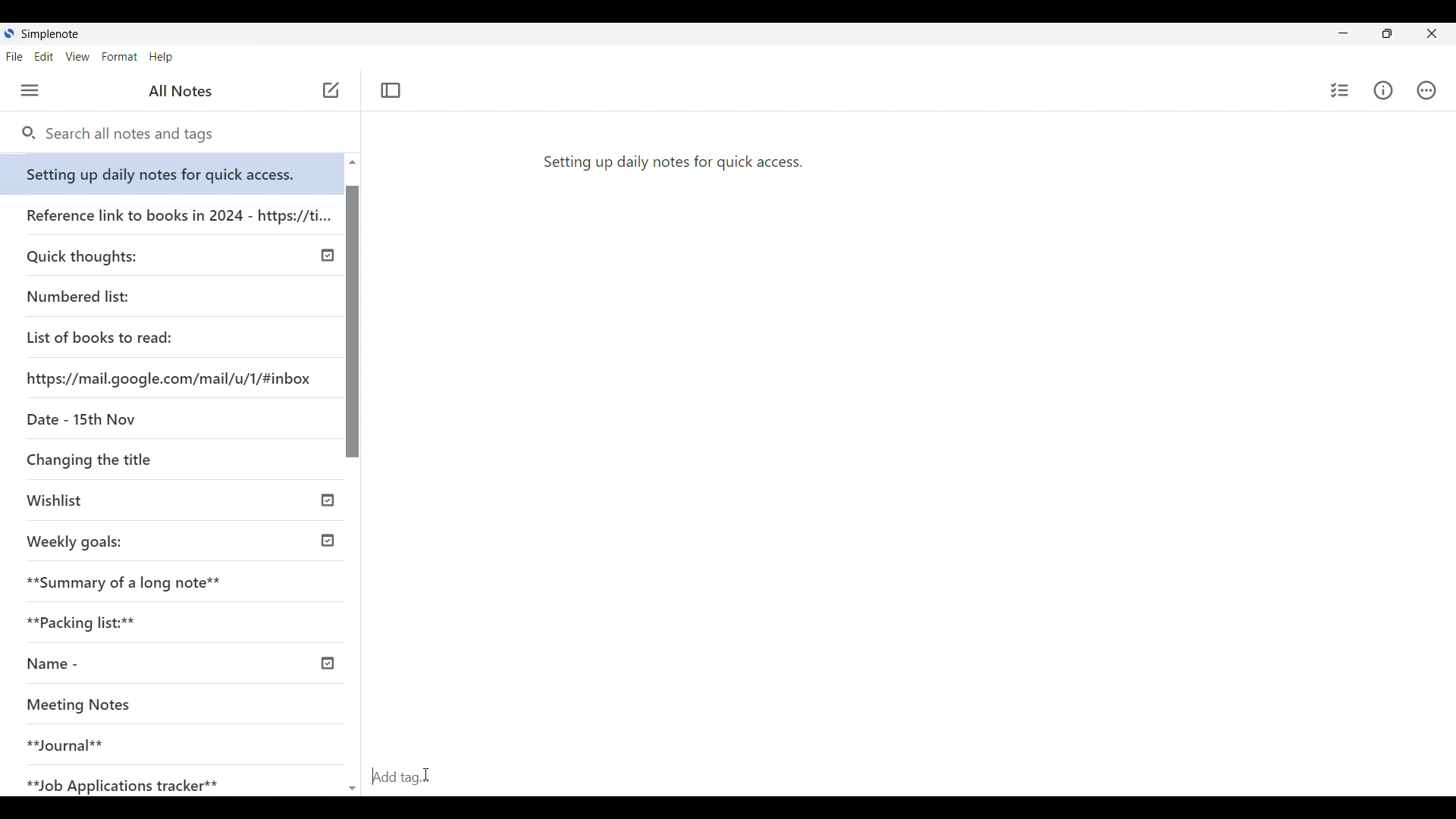  I want to click on List of books, so click(101, 335).